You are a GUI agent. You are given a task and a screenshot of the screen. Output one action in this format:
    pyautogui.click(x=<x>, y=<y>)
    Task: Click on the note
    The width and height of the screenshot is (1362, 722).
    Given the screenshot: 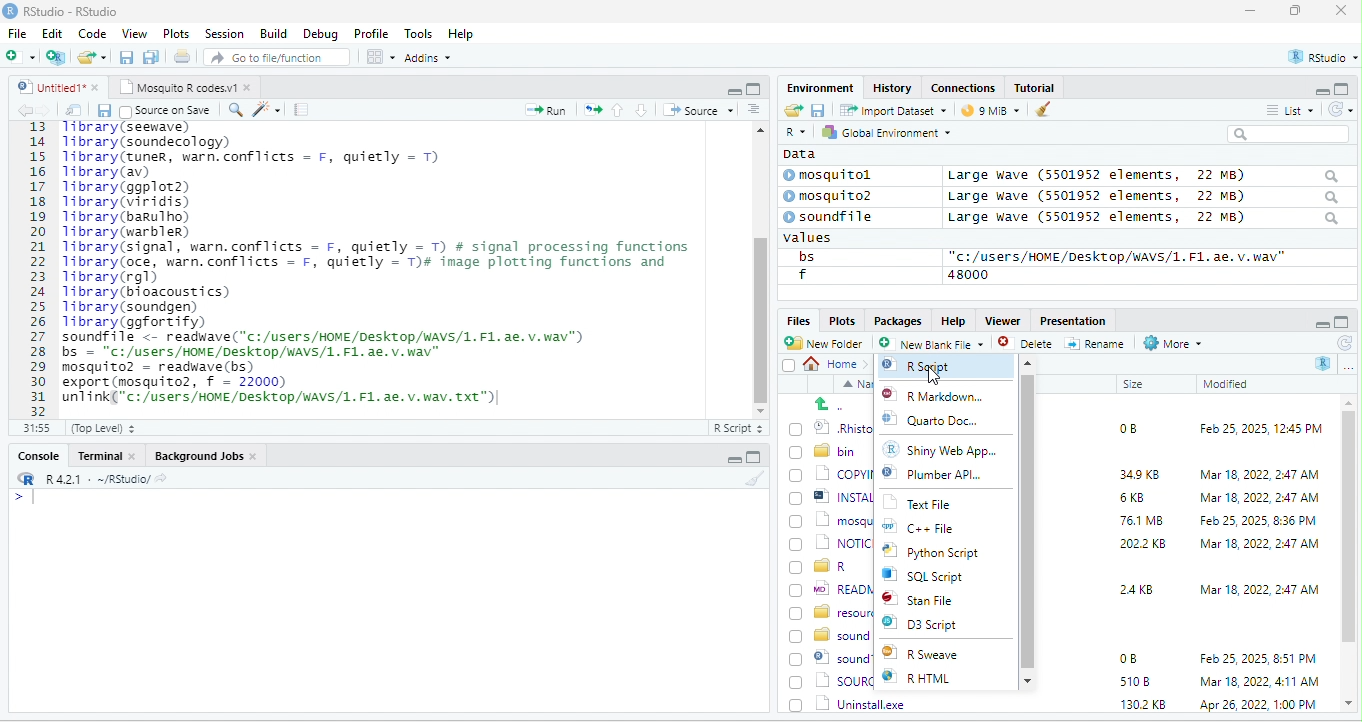 What is the action you would take?
    pyautogui.click(x=302, y=109)
    